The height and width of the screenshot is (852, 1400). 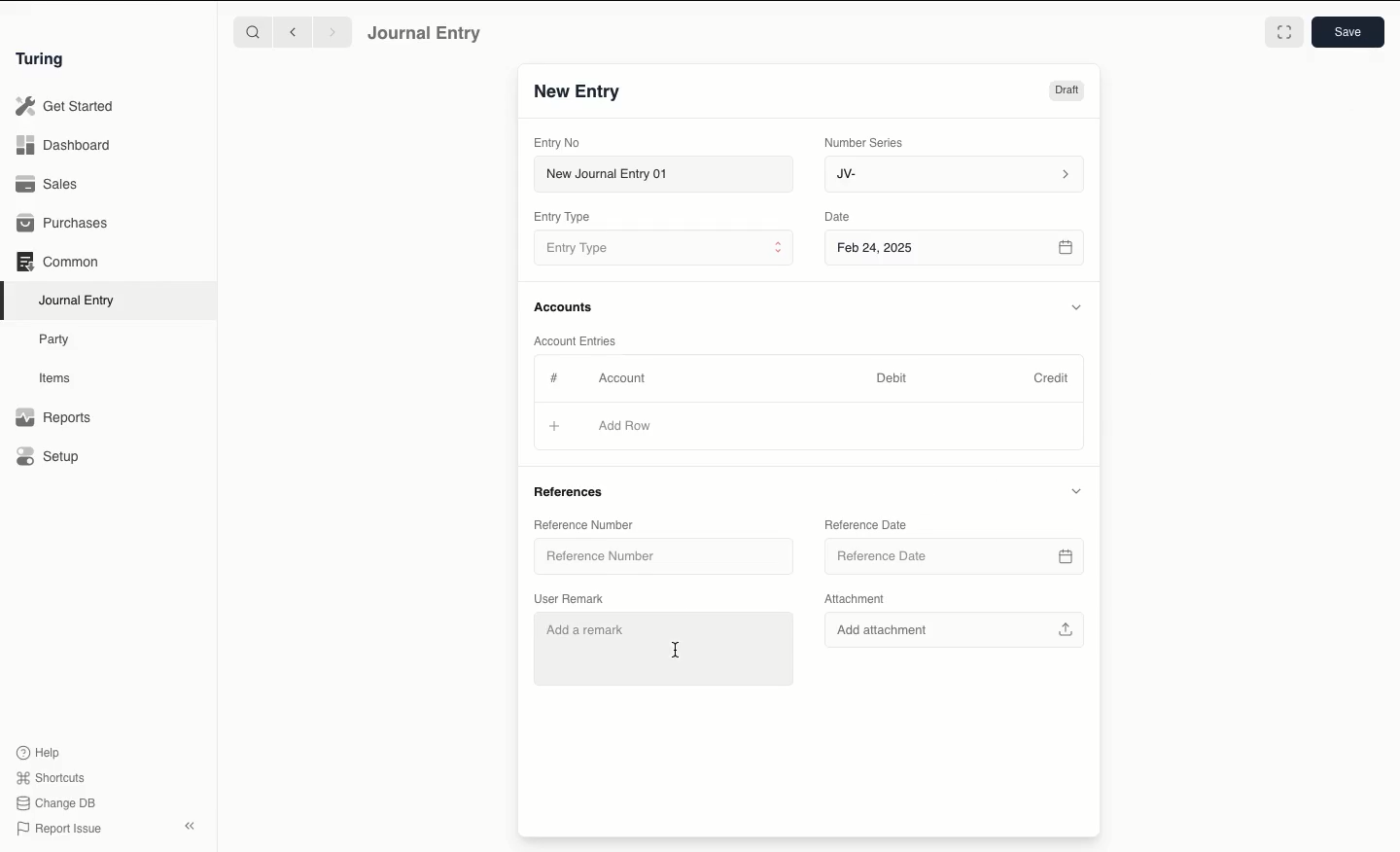 I want to click on Help, so click(x=39, y=753).